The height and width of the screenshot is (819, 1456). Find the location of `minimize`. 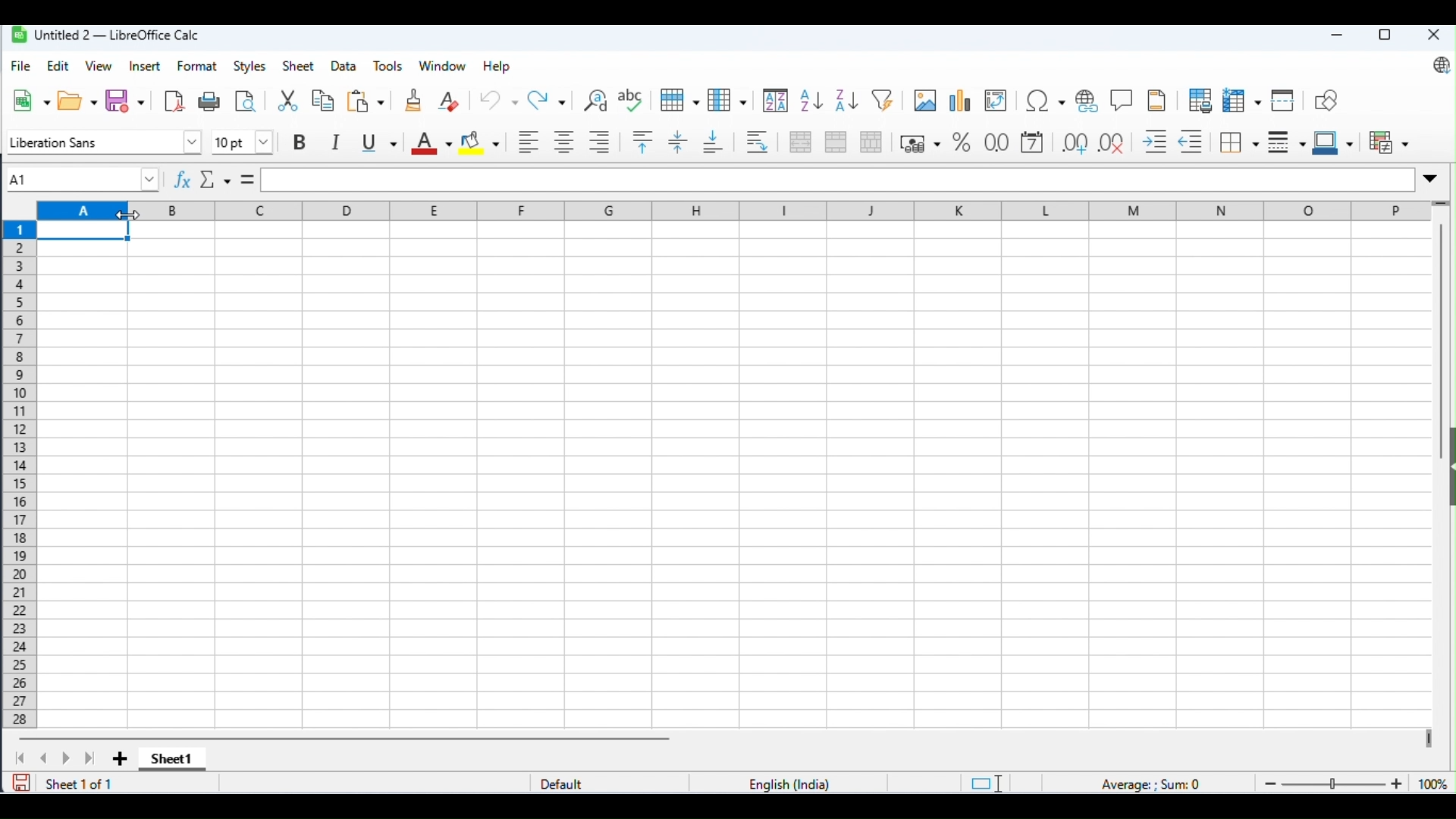

minimize is located at coordinates (1335, 36).